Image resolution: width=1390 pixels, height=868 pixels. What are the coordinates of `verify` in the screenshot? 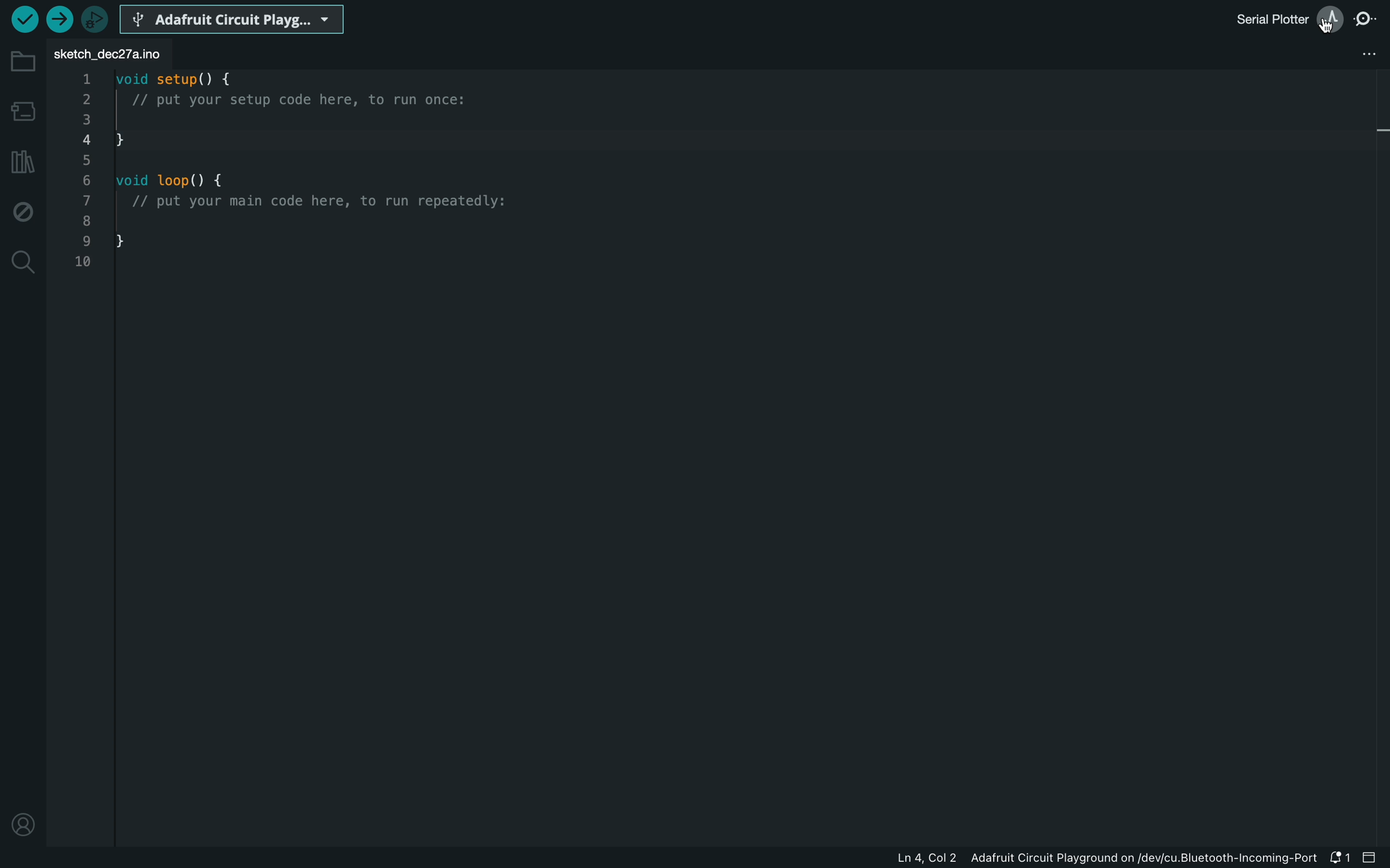 It's located at (21, 20).